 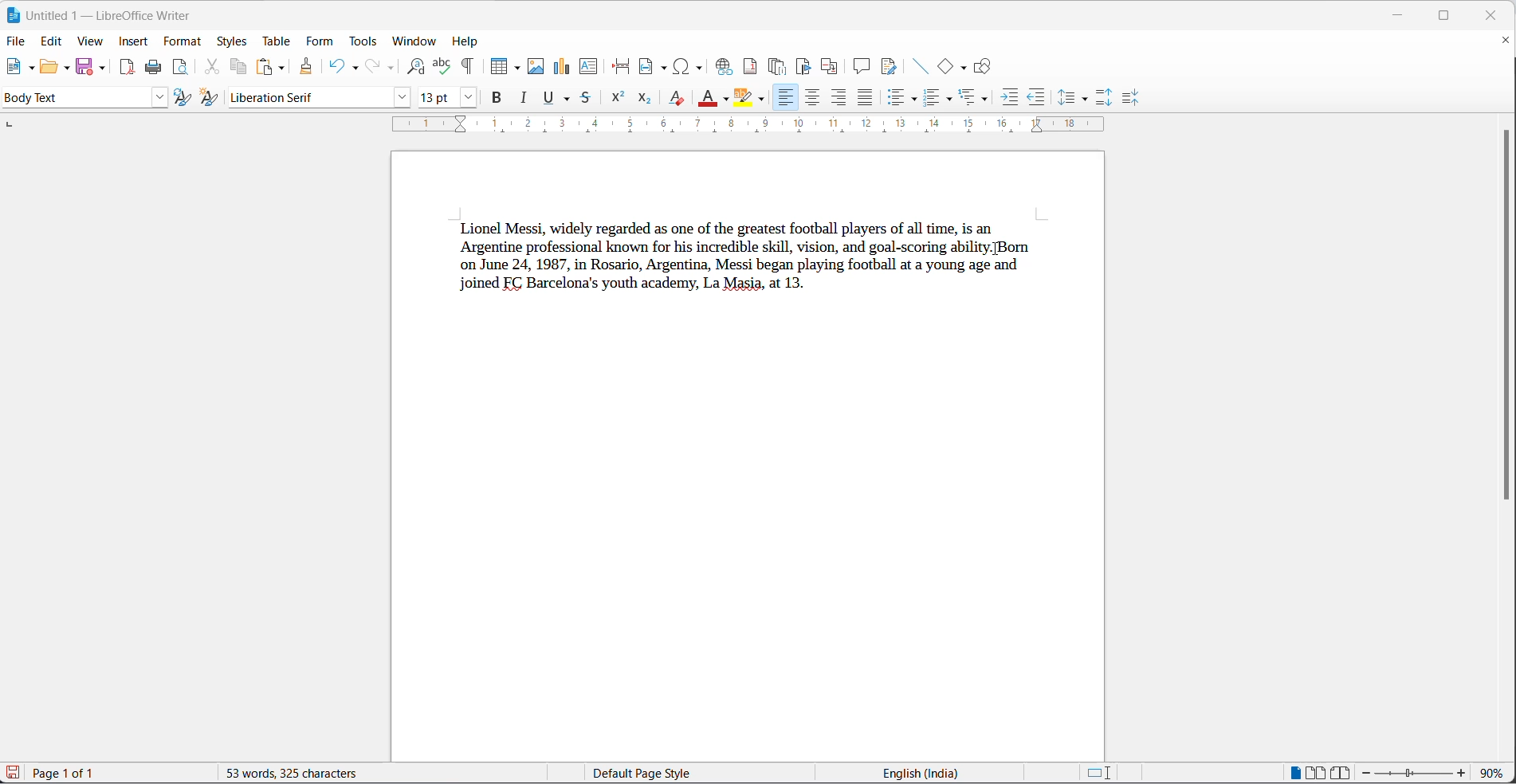 What do you see at coordinates (415, 68) in the screenshot?
I see `find and replace` at bounding box center [415, 68].